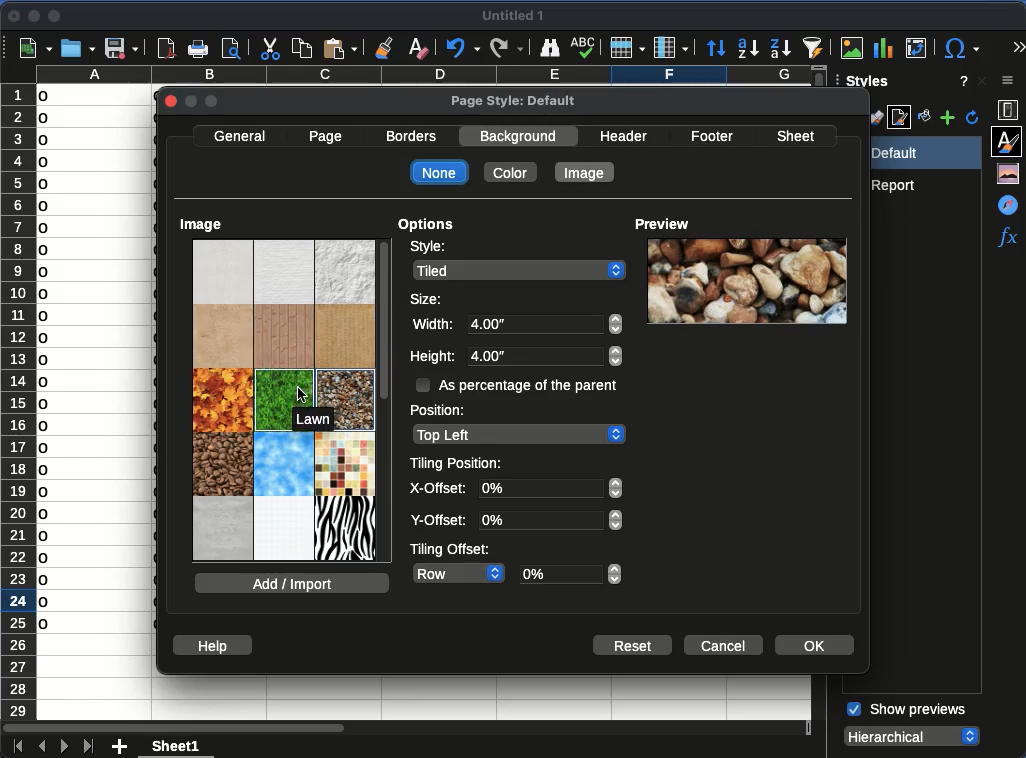  Describe the element at coordinates (15, 745) in the screenshot. I see `first sheet` at that location.